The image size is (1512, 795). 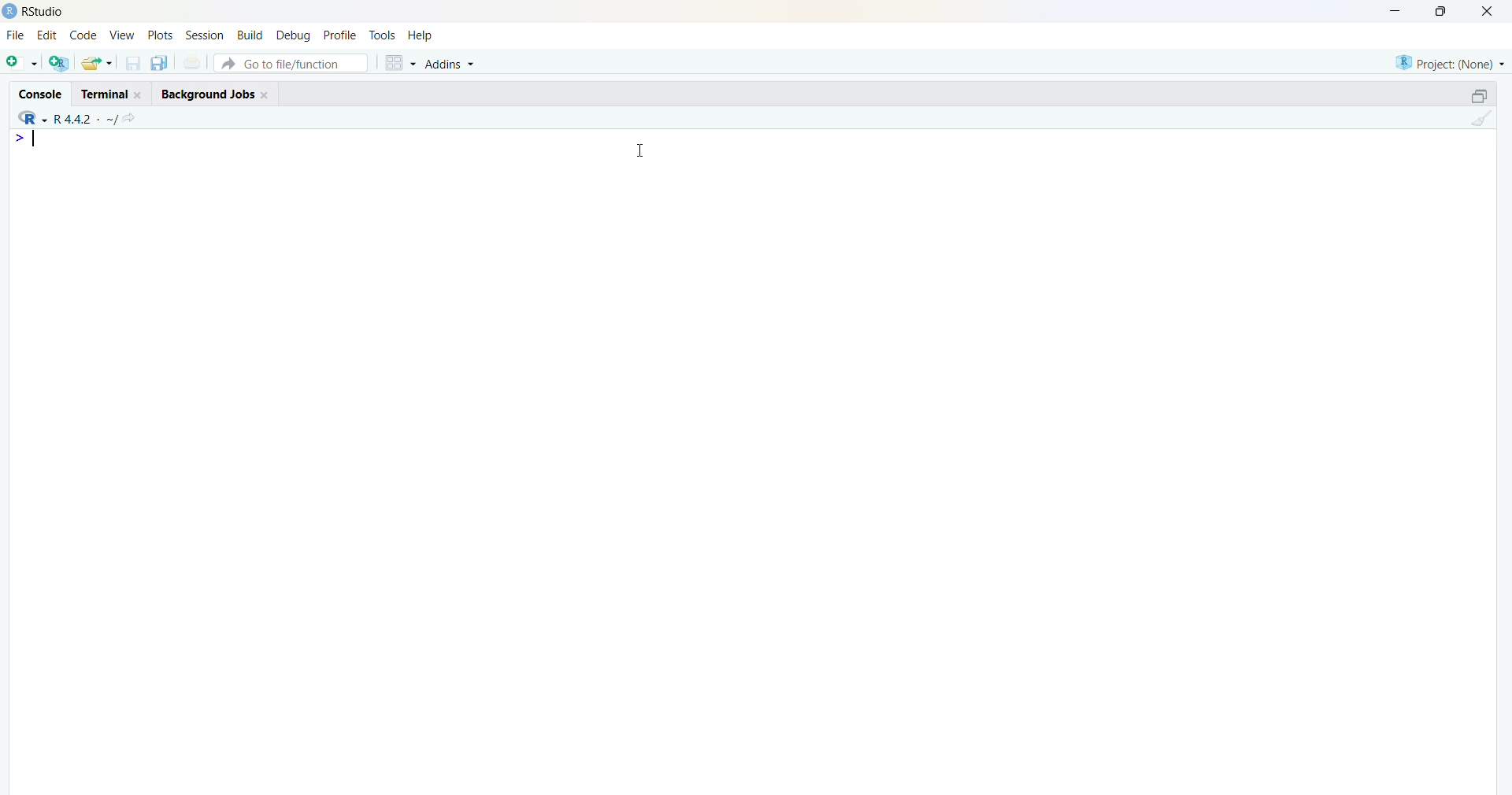 I want to click on maximize, so click(x=1479, y=96).